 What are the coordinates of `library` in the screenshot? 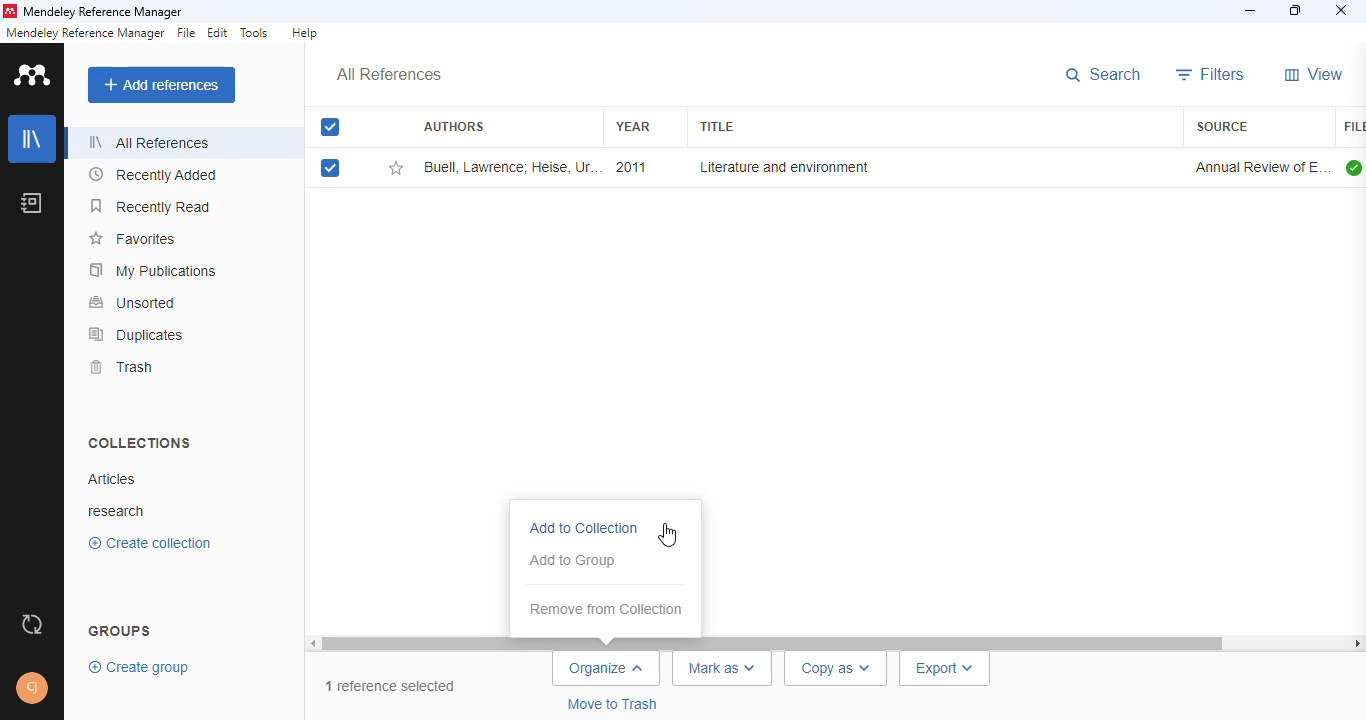 It's located at (31, 139).